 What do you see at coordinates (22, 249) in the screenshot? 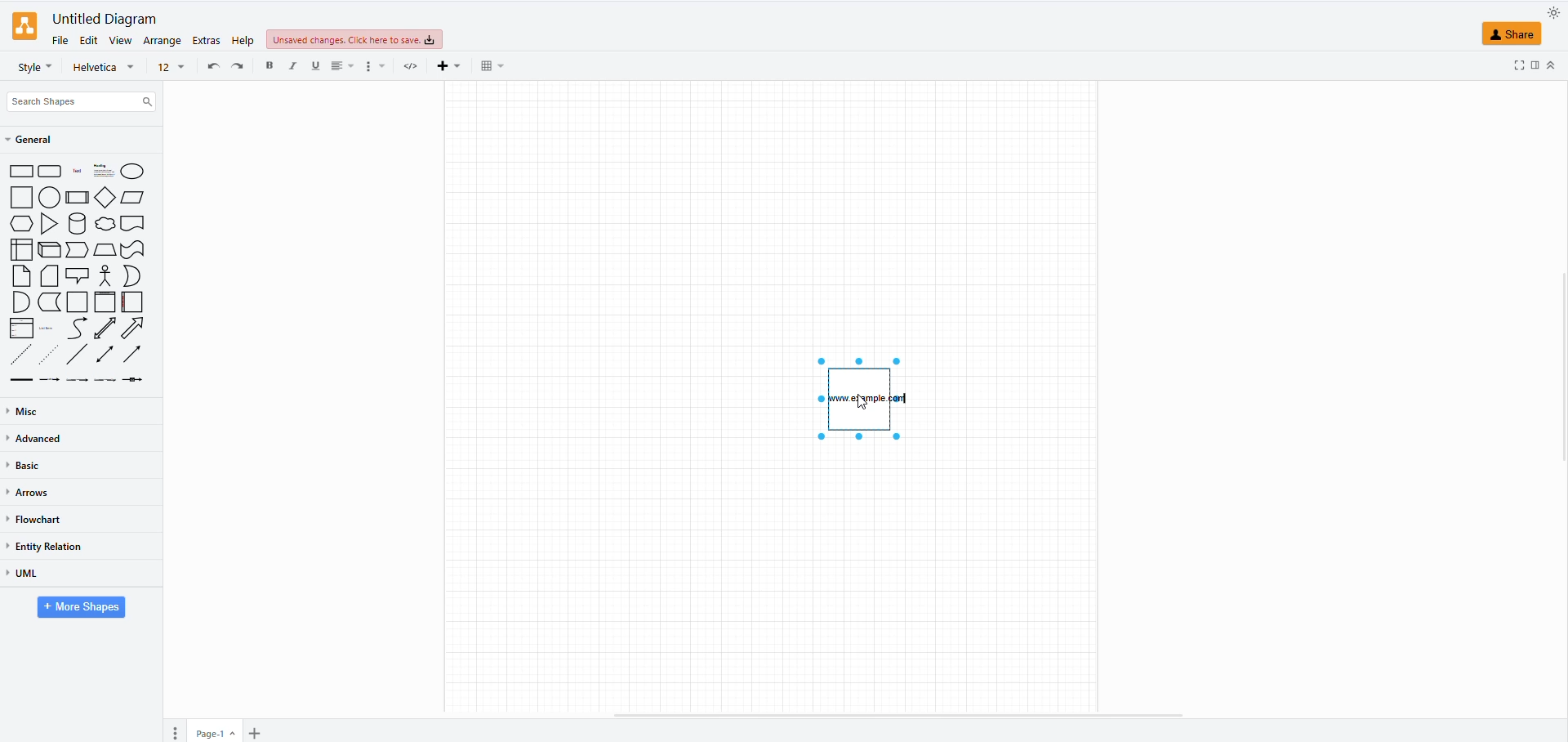
I see `internal storage` at bounding box center [22, 249].